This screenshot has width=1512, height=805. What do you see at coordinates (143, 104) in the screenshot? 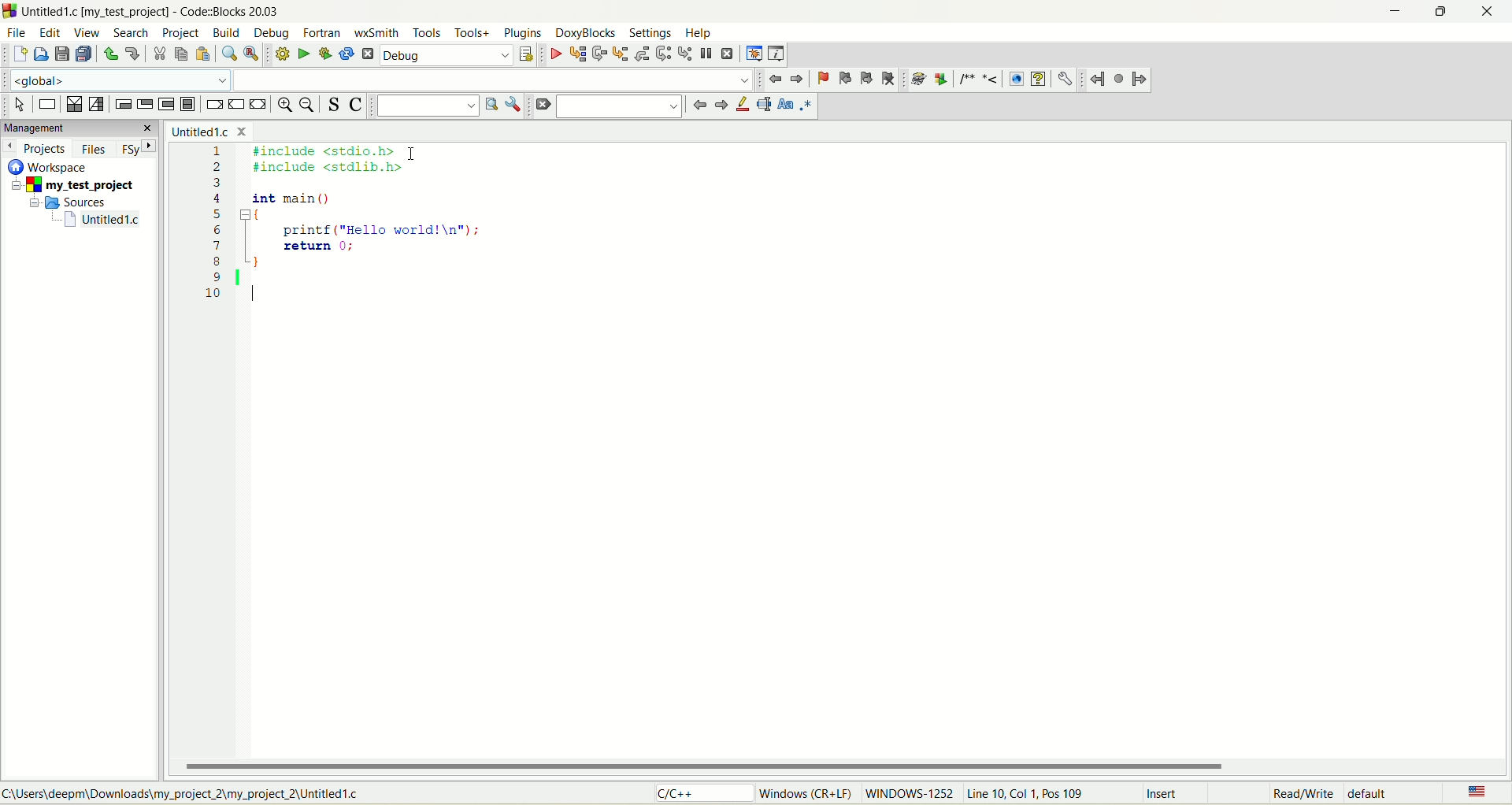
I see `exit condition loop` at bounding box center [143, 104].